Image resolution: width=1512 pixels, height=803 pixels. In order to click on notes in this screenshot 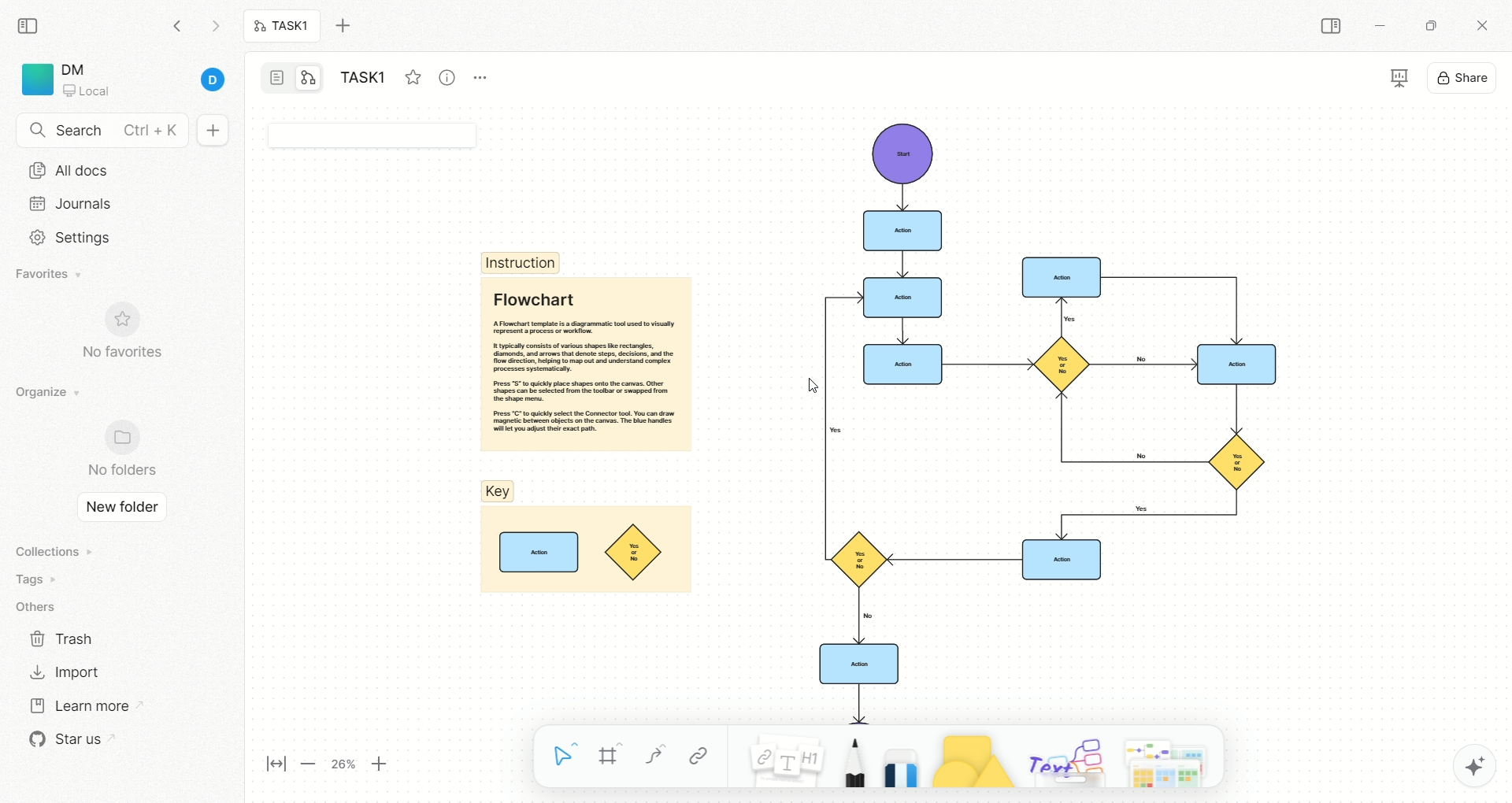, I will do `click(777, 756)`.